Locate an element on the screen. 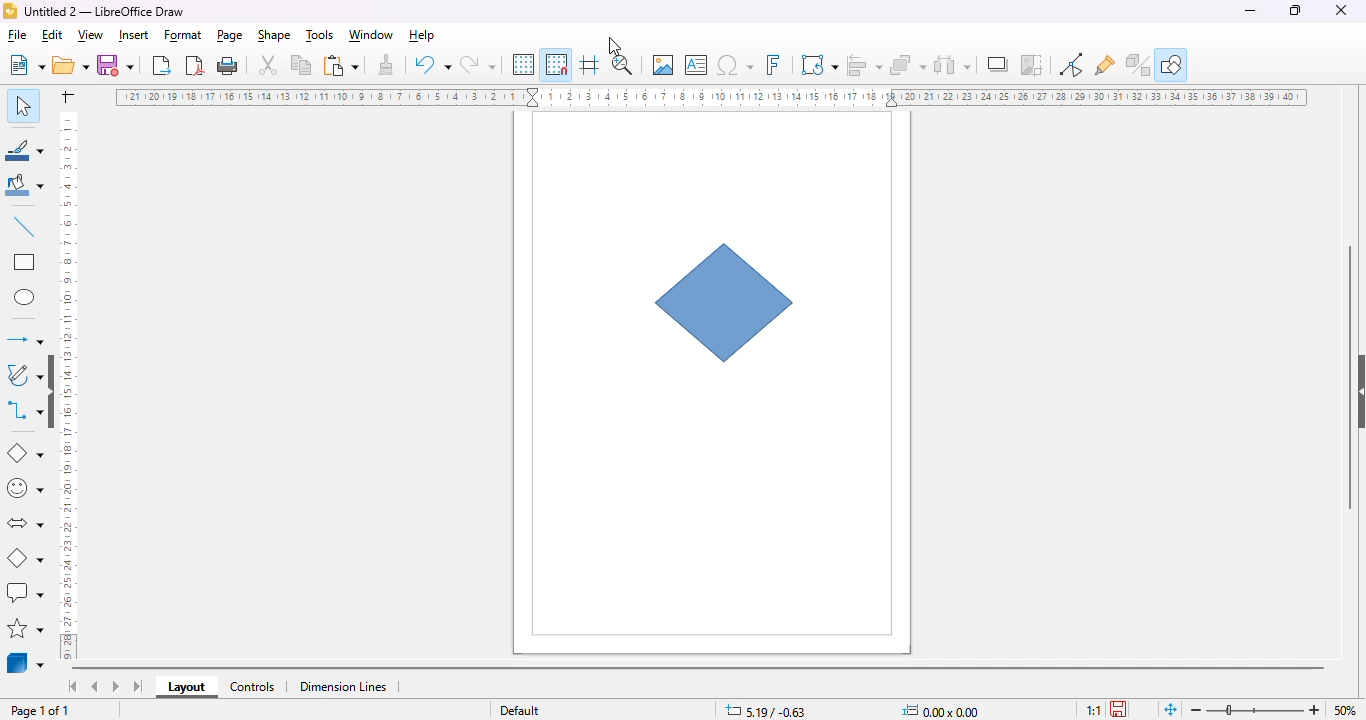 This screenshot has width=1366, height=720. clone formatting is located at coordinates (386, 65).